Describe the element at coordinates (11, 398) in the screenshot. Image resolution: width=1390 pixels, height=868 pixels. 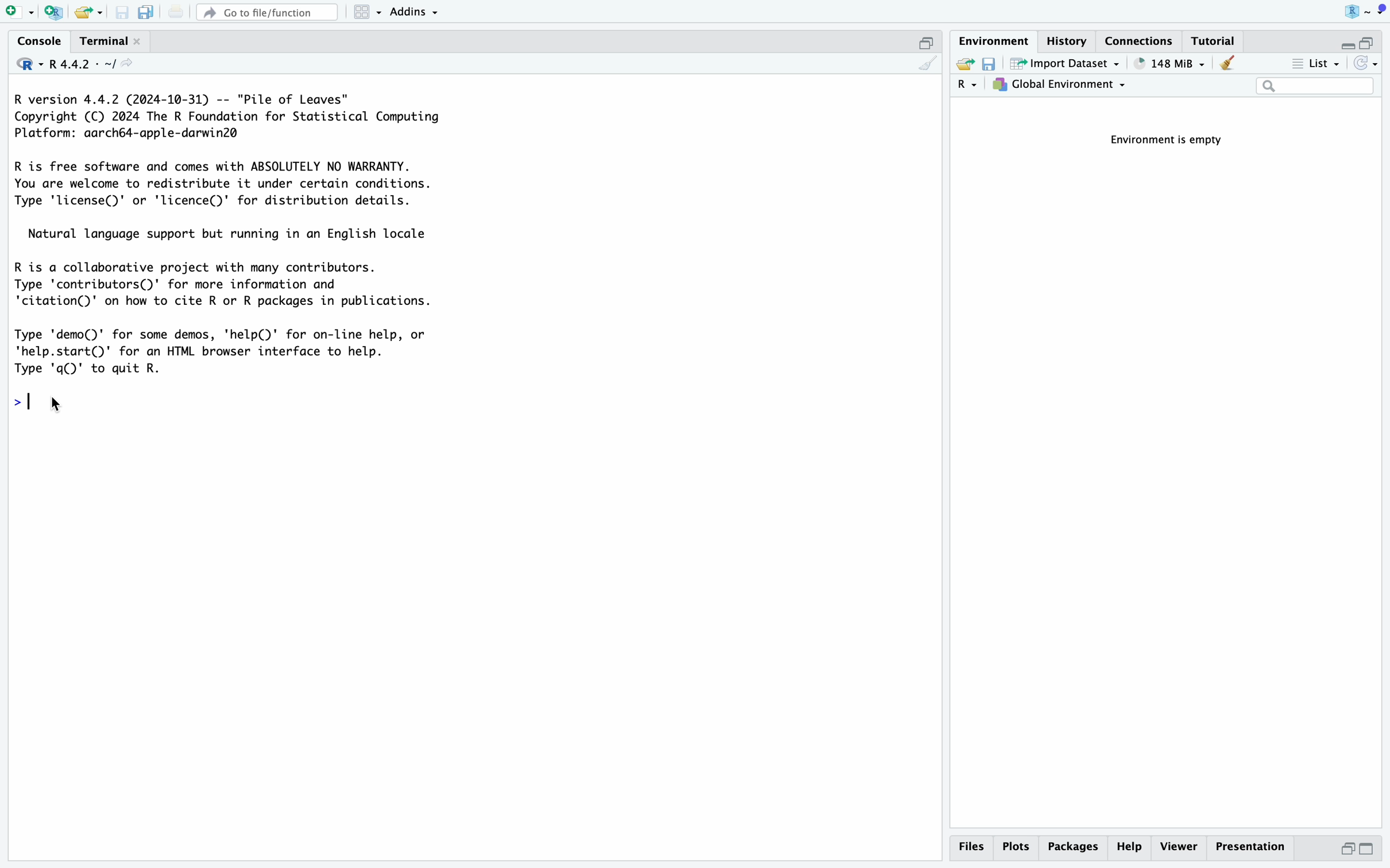
I see `prompt cursor` at that location.